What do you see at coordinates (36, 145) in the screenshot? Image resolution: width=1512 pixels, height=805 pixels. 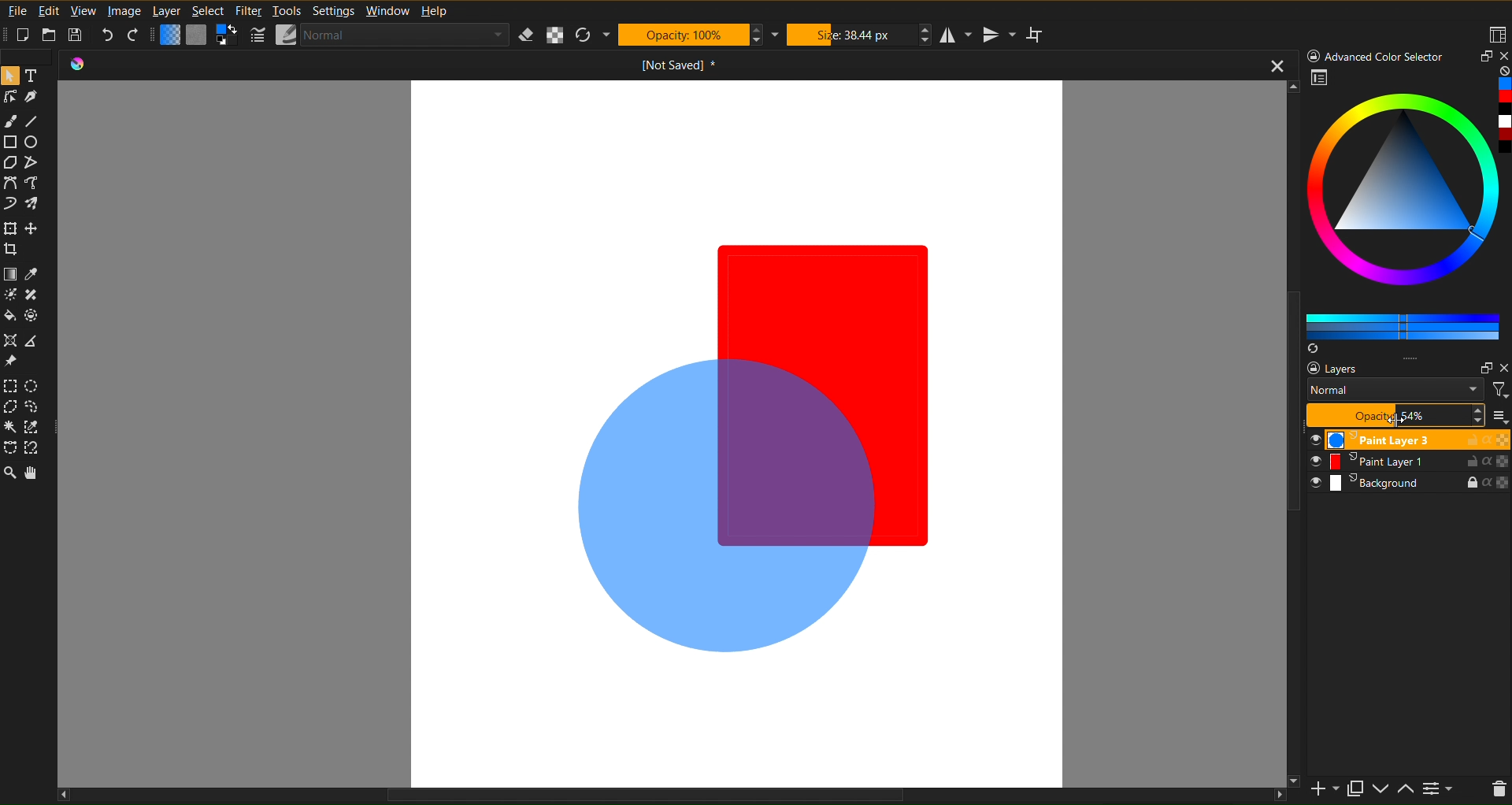 I see `Circle` at bounding box center [36, 145].